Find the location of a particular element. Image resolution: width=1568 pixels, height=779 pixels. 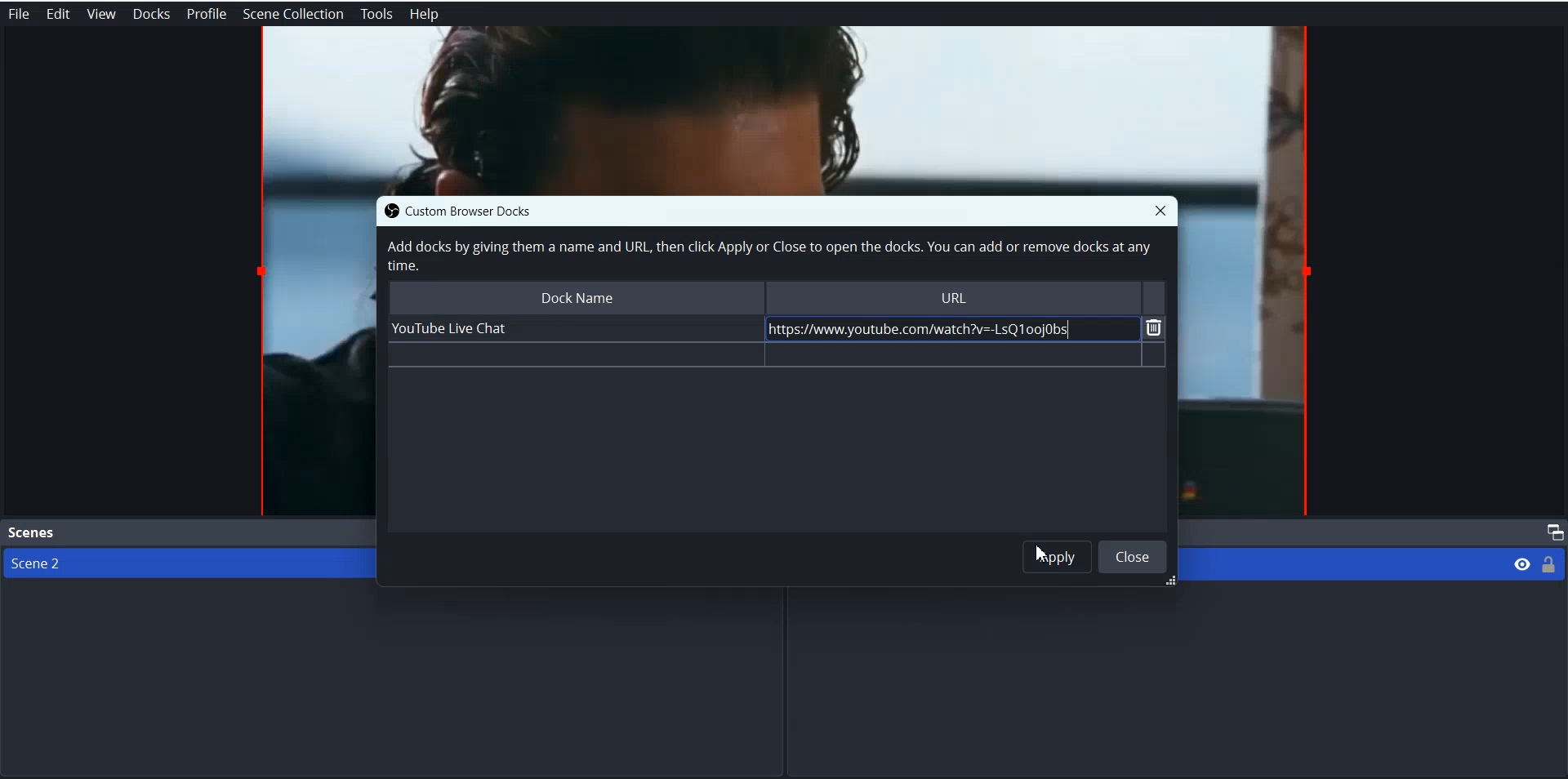

Youtube Live Chat is located at coordinates (571, 328).